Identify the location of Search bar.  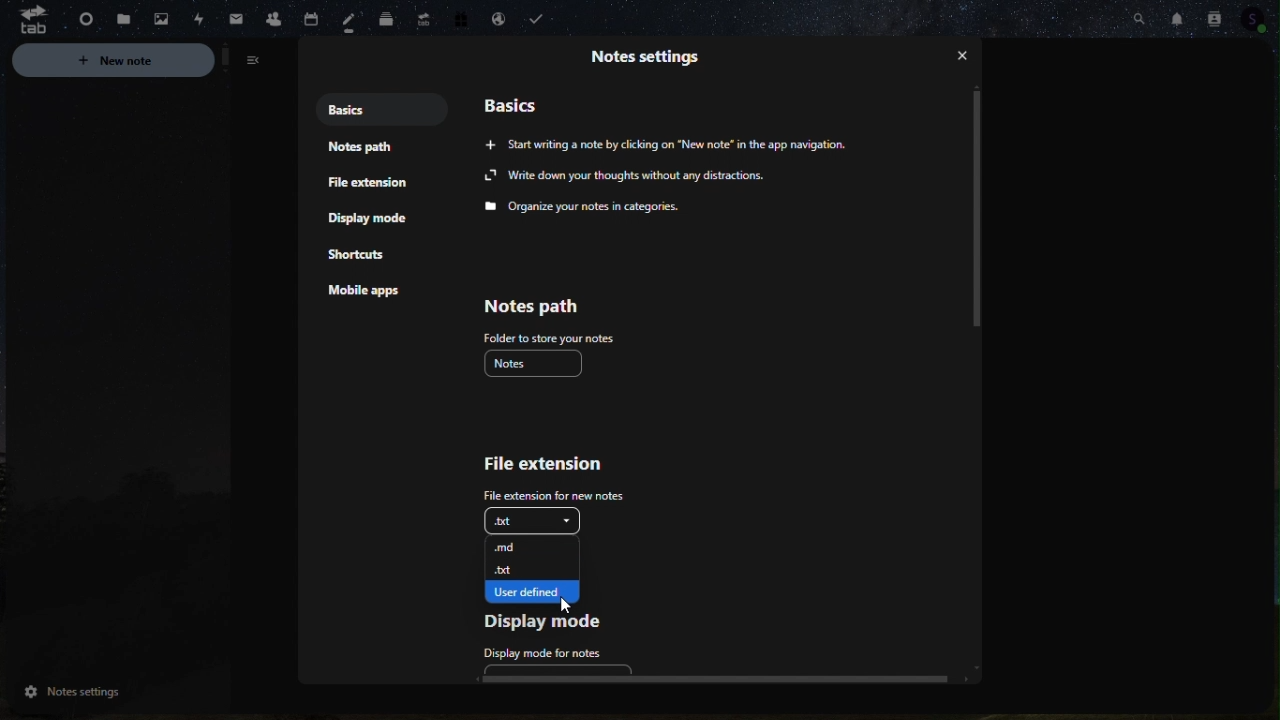
(1137, 17).